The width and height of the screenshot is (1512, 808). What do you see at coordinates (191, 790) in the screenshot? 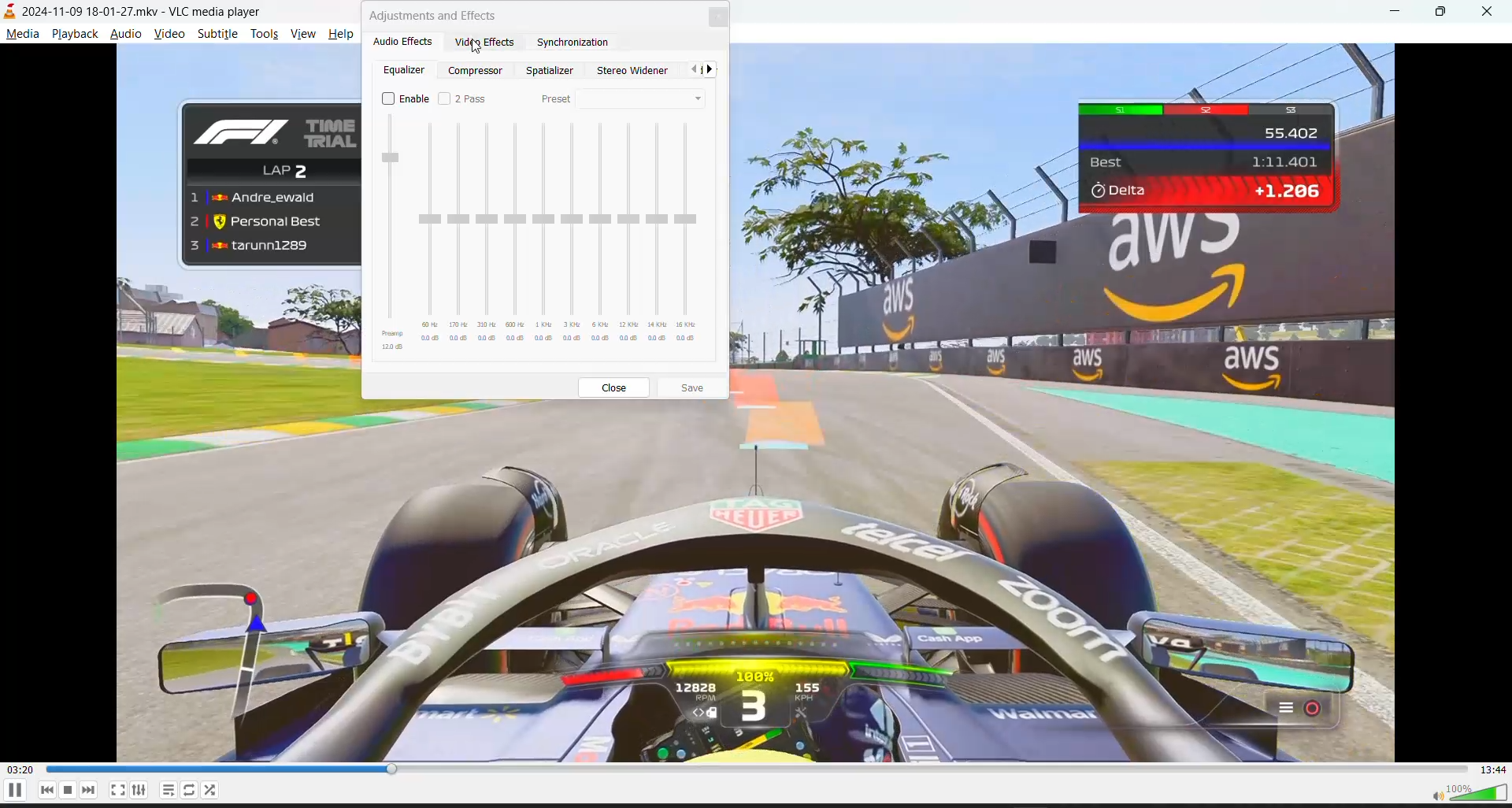
I see `random` at bounding box center [191, 790].